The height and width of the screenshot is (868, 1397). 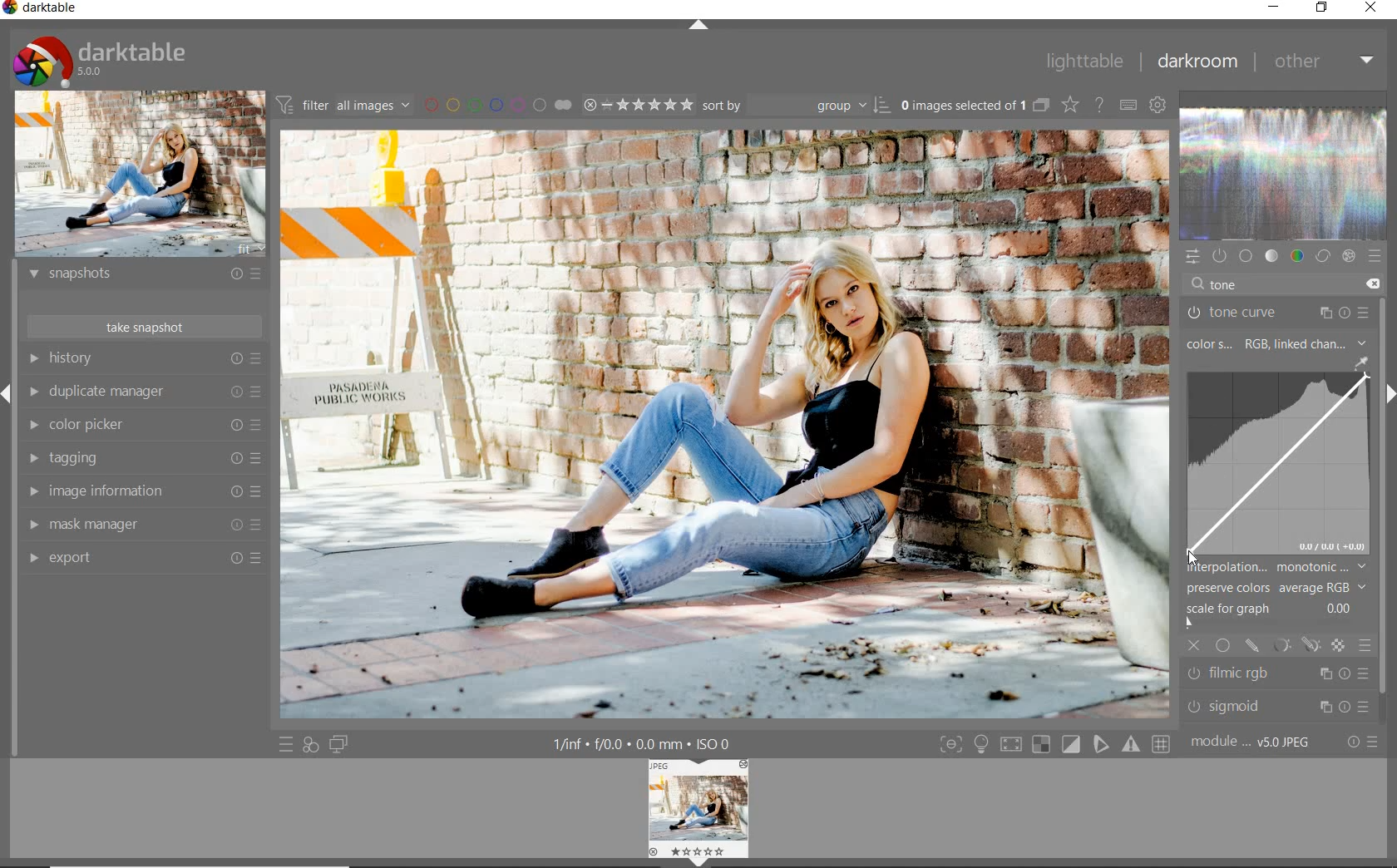 I want to click on color picker, so click(x=146, y=426).